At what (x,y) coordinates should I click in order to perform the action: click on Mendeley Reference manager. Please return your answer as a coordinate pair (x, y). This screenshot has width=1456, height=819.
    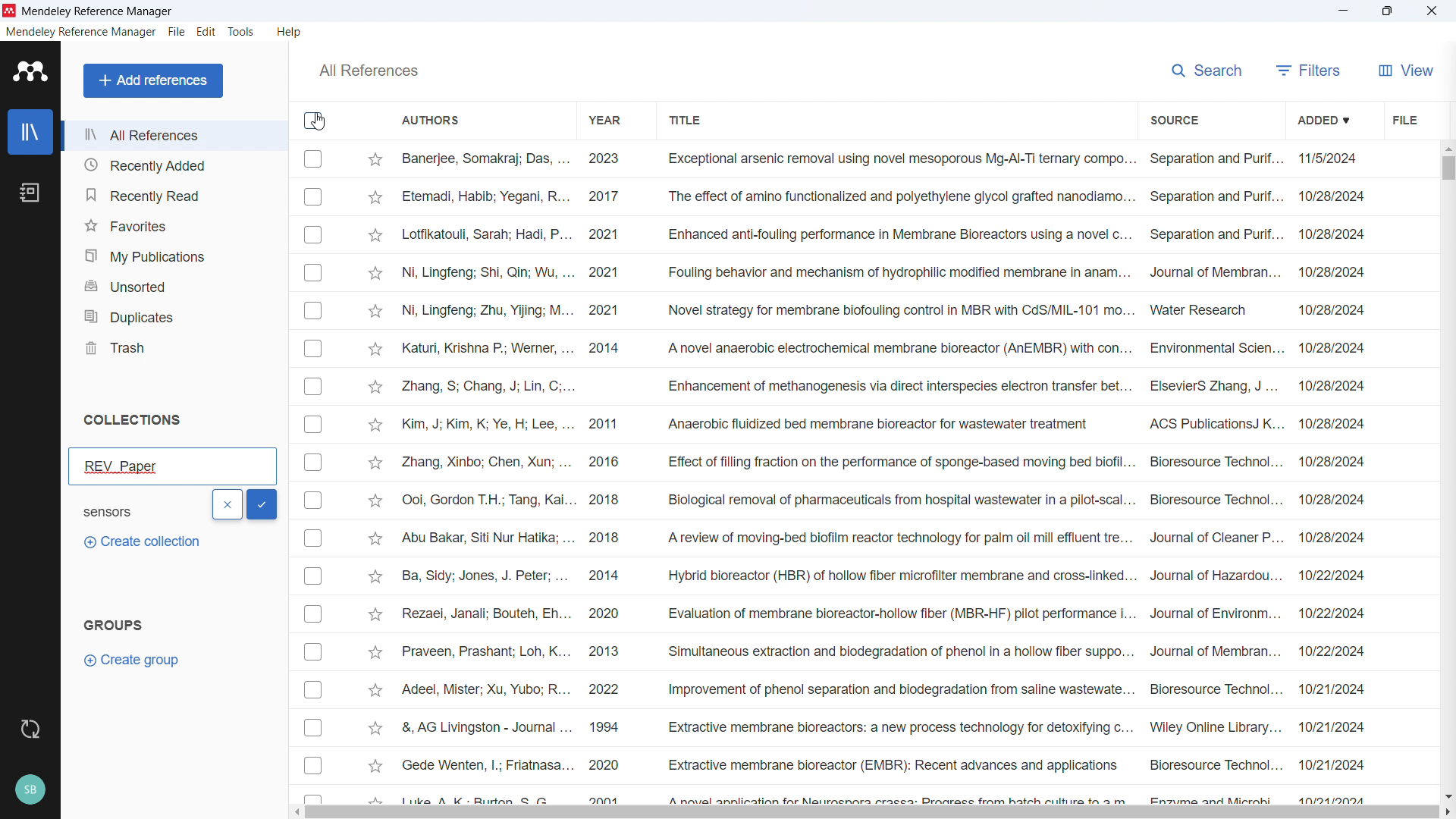
    Looking at the image, I should click on (98, 12).